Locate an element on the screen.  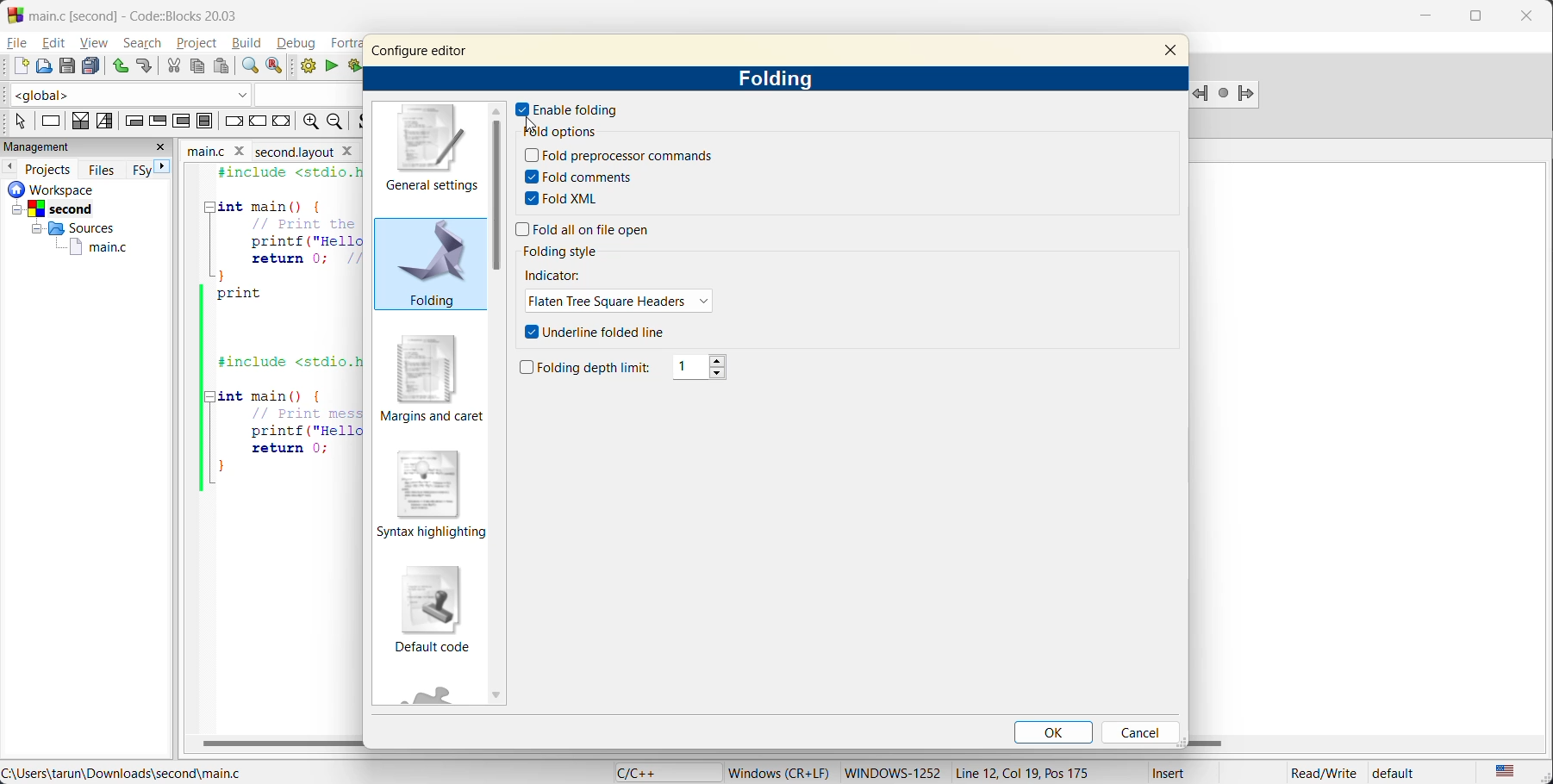
fold xml is located at coordinates (571, 199).